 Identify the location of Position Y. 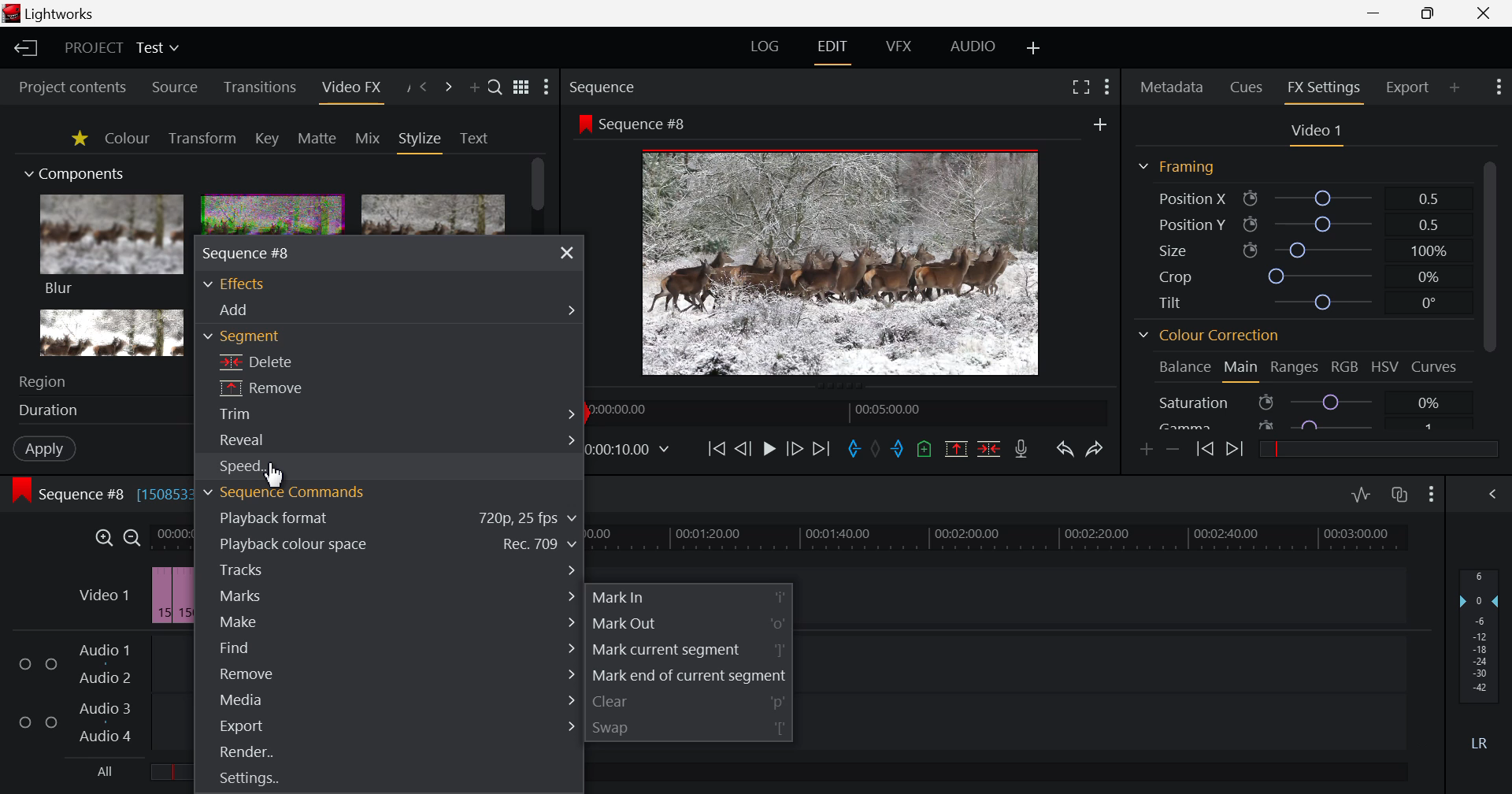
(1299, 224).